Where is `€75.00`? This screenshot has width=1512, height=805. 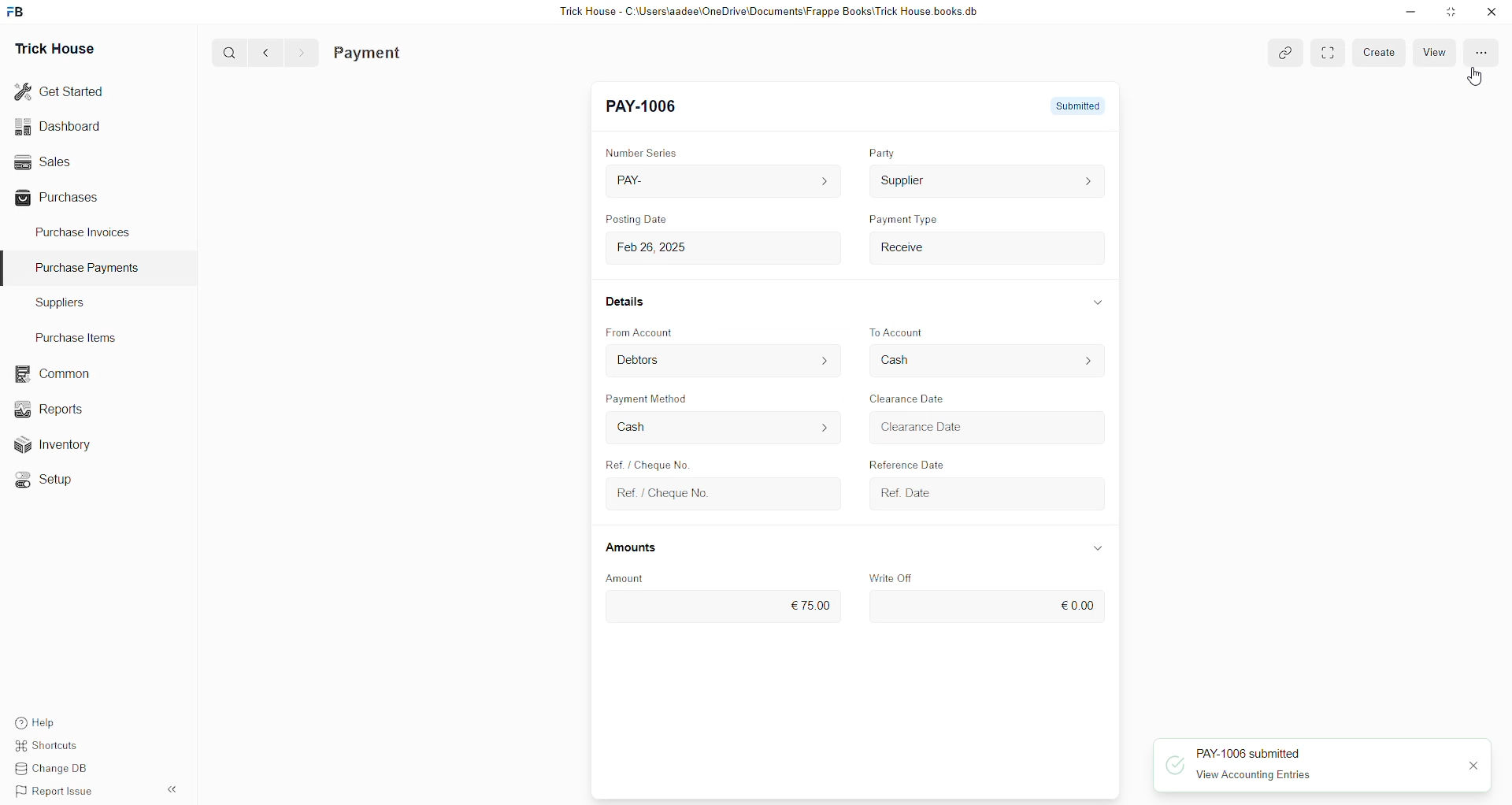 €75.00 is located at coordinates (802, 603).